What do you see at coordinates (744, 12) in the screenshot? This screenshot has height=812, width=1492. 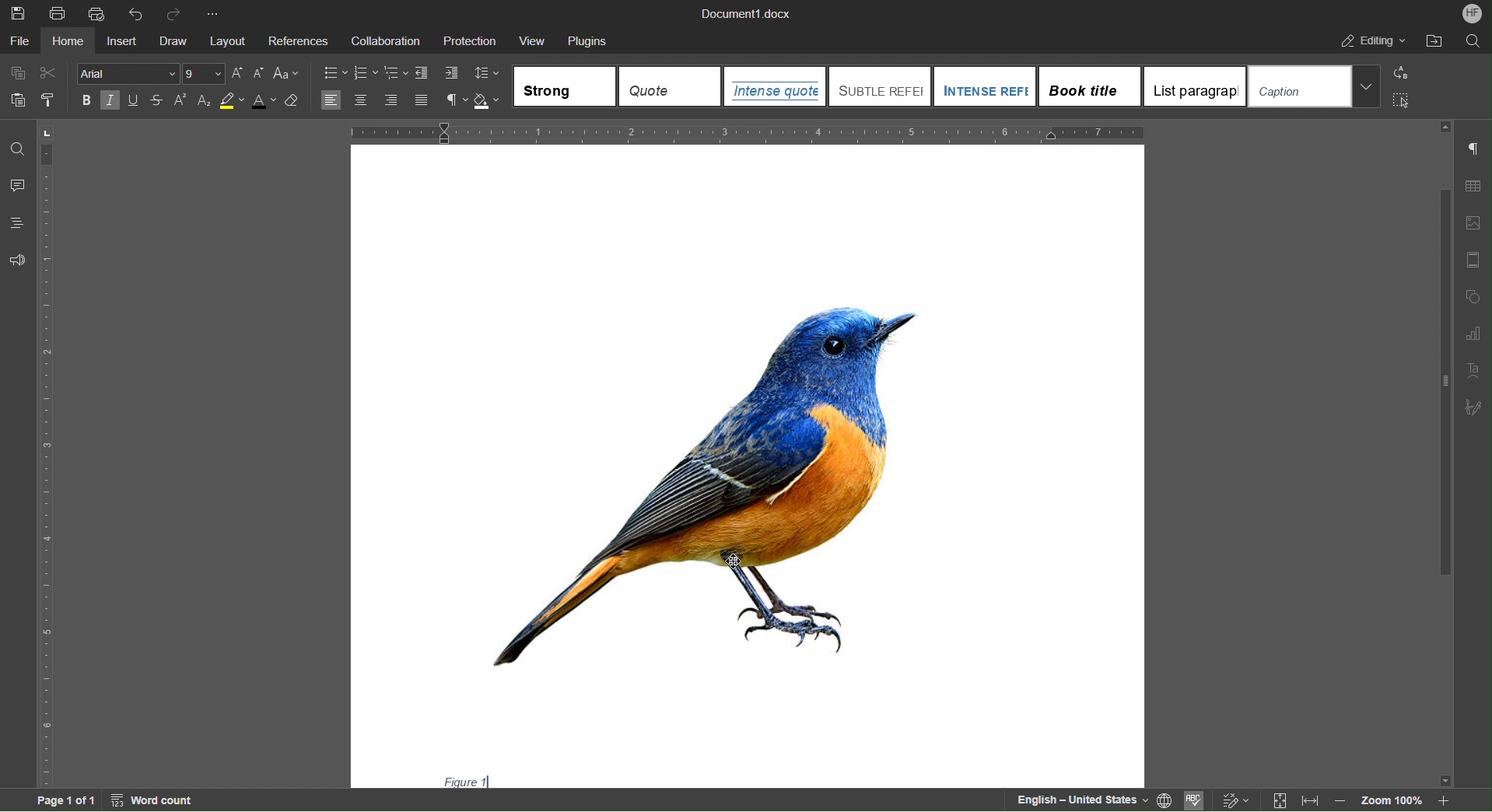 I see `Document1.docx` at bounding box center [744, 12].